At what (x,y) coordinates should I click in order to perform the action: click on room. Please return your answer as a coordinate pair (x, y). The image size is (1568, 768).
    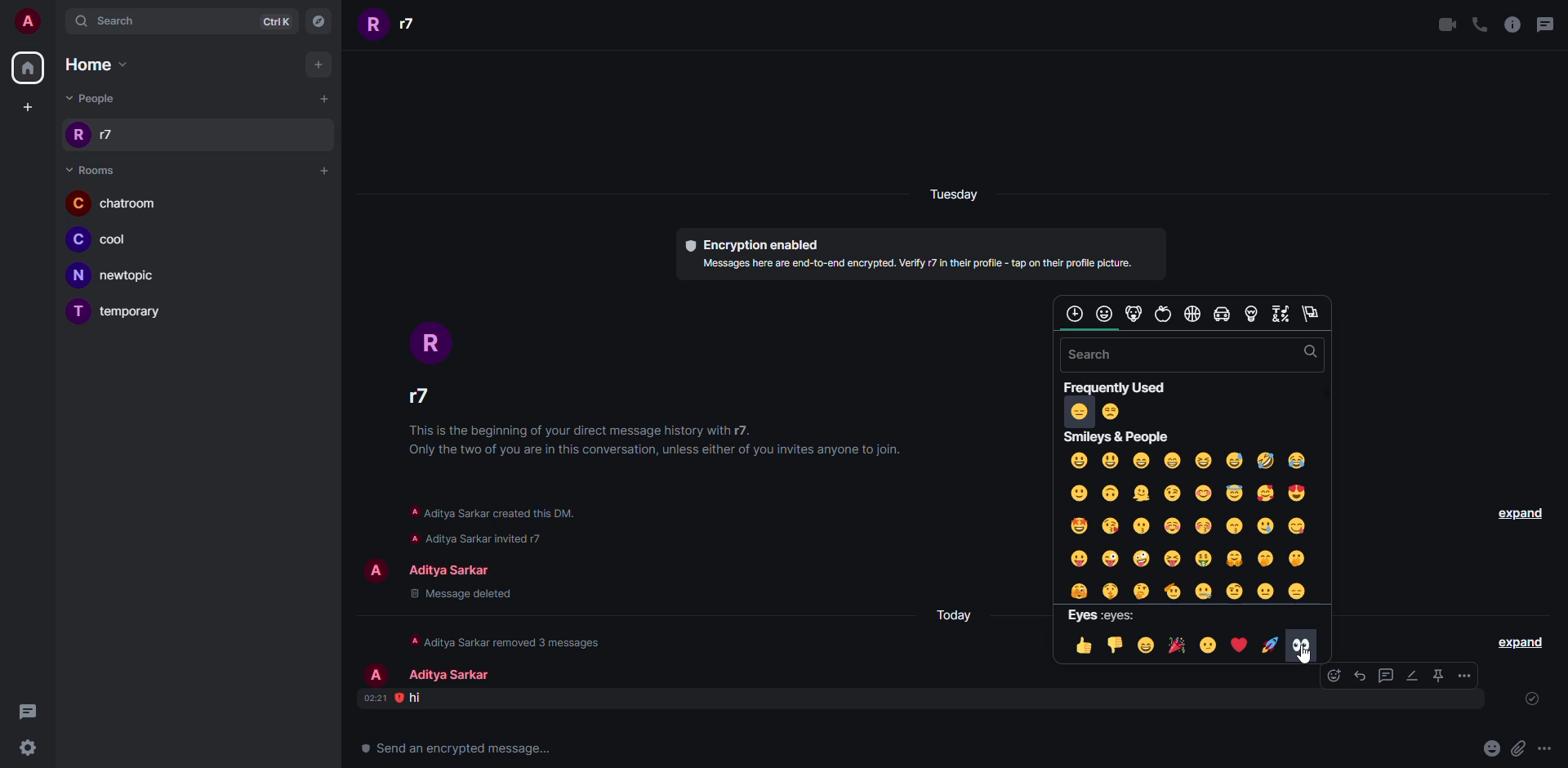
    Looking at the image, I should click on (118, 276).